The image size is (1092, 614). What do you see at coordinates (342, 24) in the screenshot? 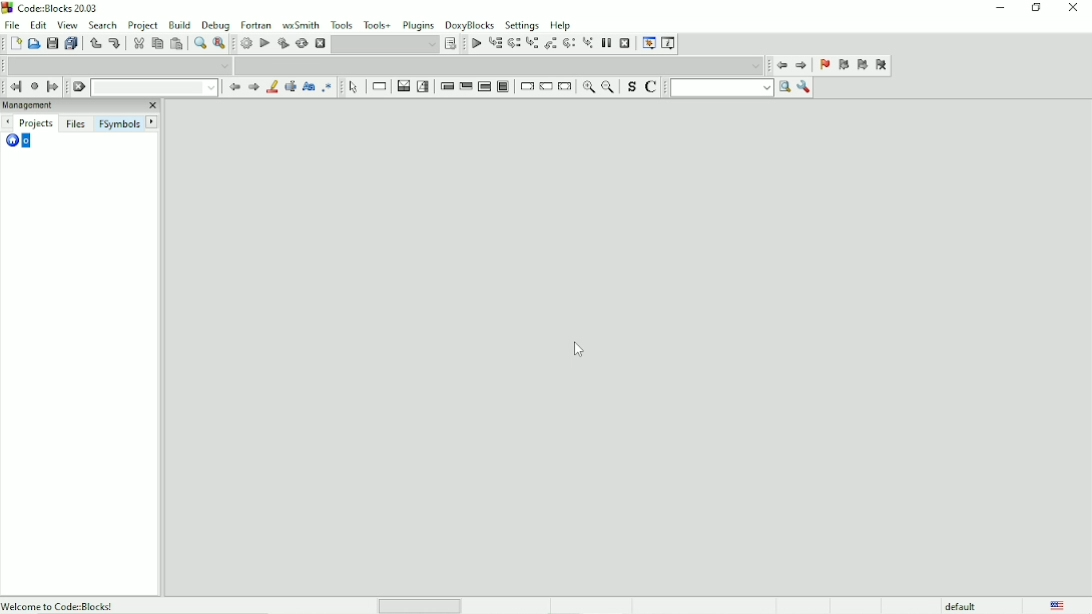
I see `Tools` at bounding box center [342, 24].